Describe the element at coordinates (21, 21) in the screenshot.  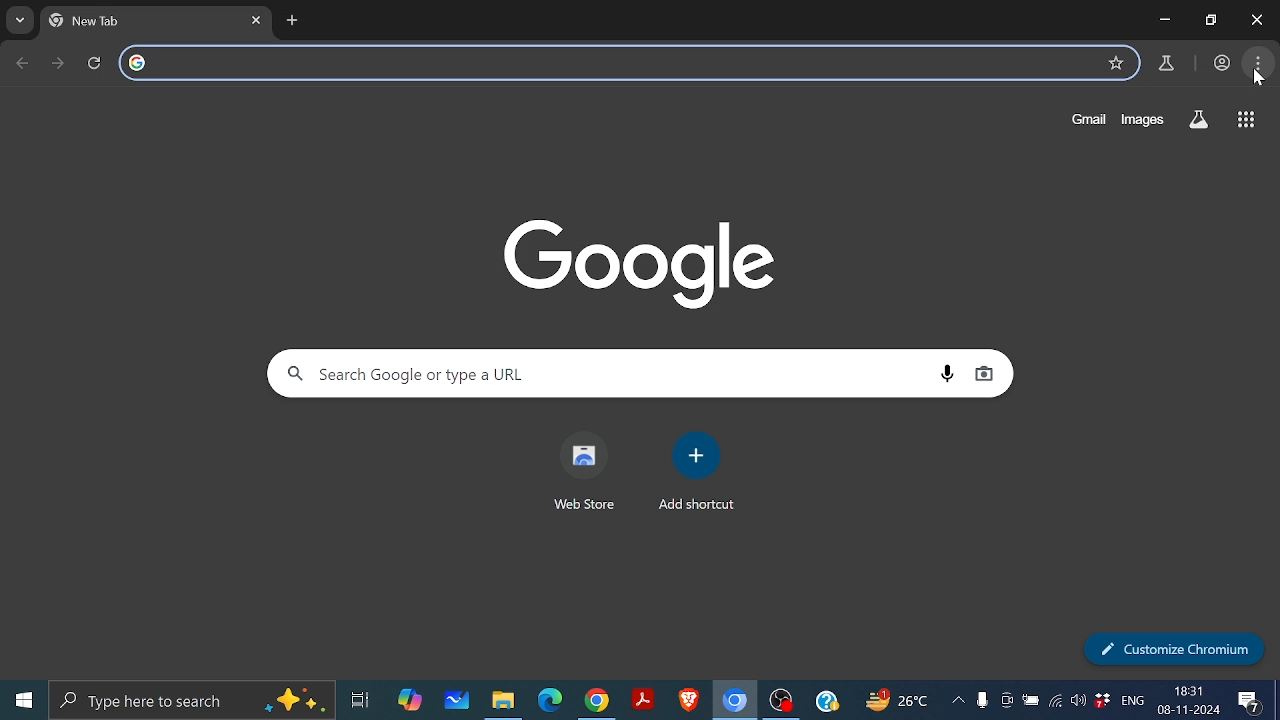
I see `Search tabs` at that location.